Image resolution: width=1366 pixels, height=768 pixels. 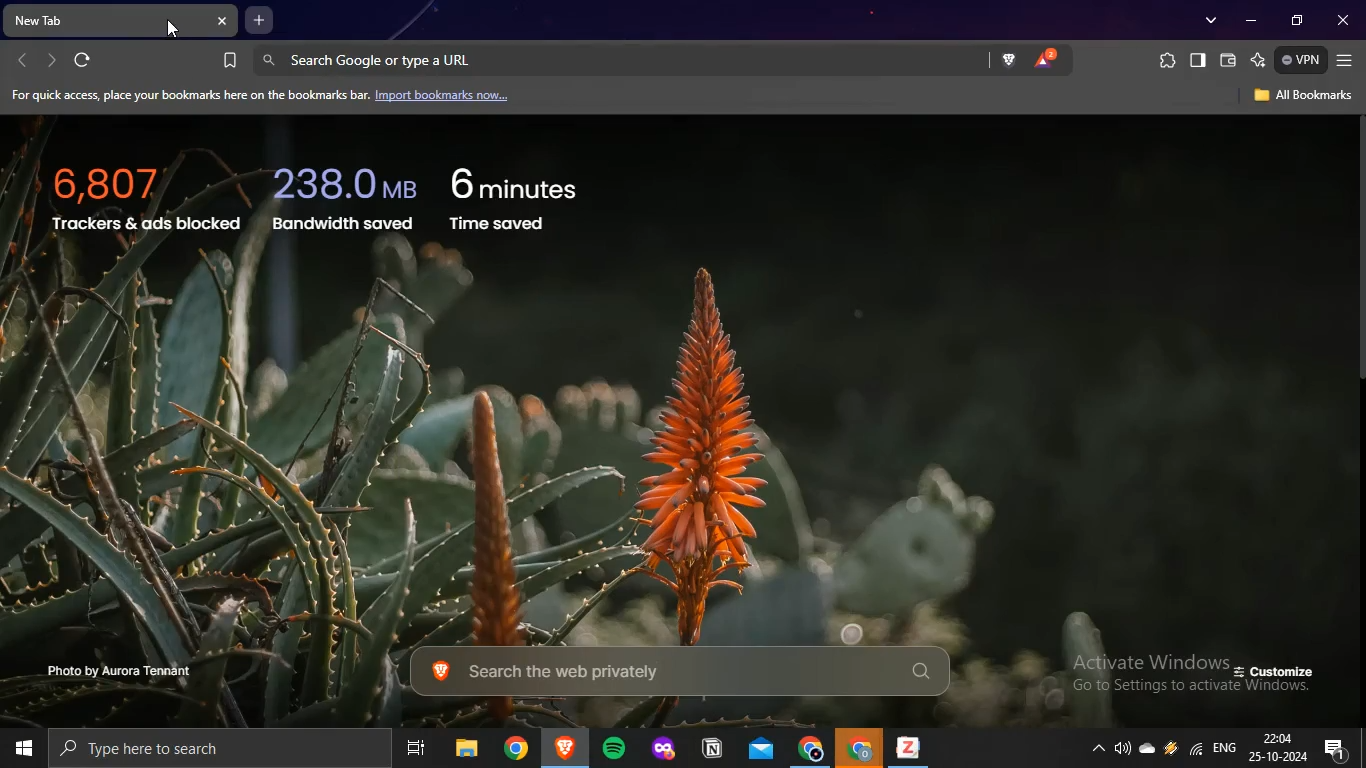 I want to click on wifi, so click(x=1194, y=748).